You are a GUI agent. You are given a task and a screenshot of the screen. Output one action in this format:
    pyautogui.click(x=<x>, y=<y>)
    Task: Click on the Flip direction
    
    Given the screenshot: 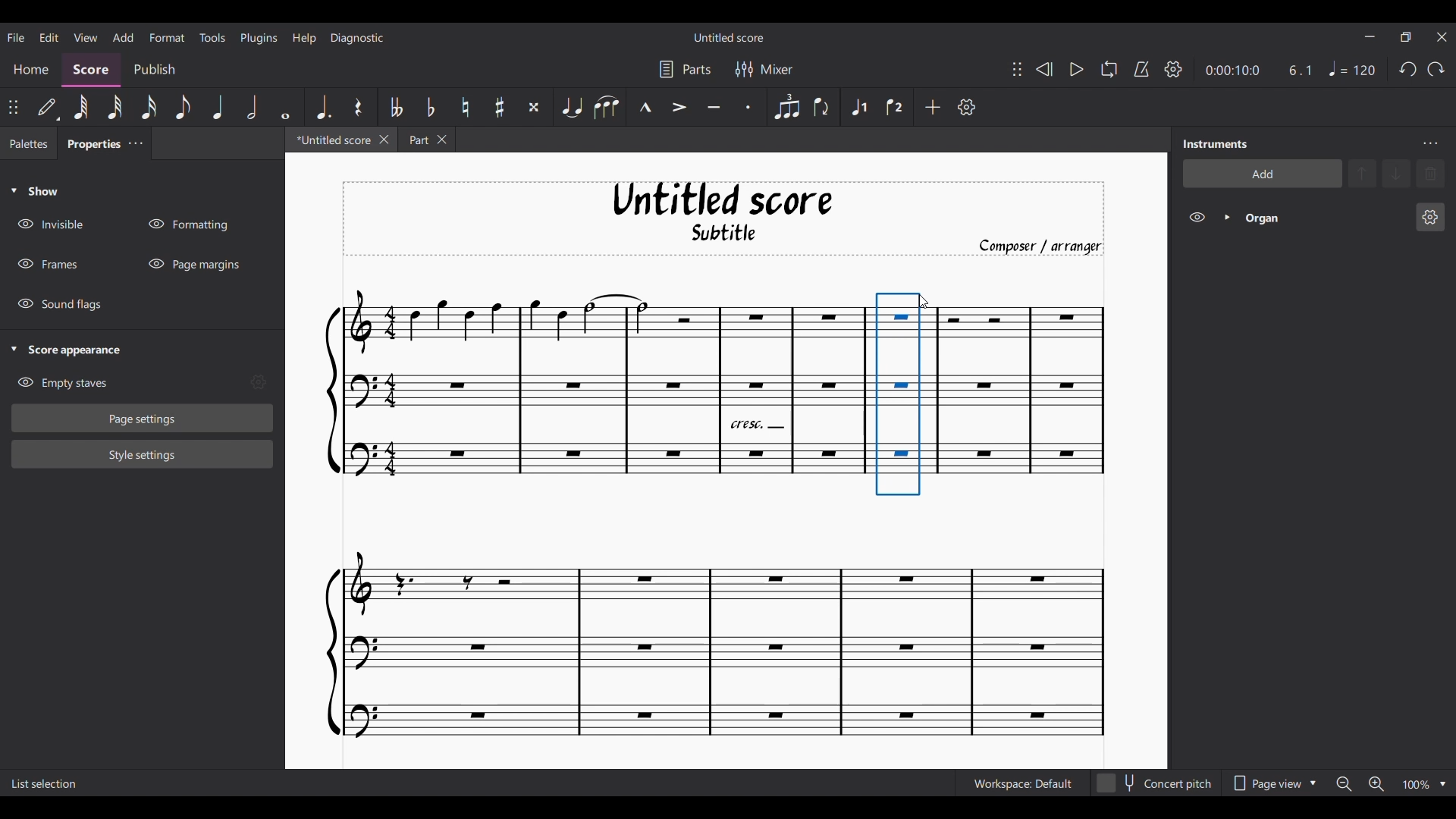 What is the action you would take?
    pyautogui.click(x=822, y=107)
    